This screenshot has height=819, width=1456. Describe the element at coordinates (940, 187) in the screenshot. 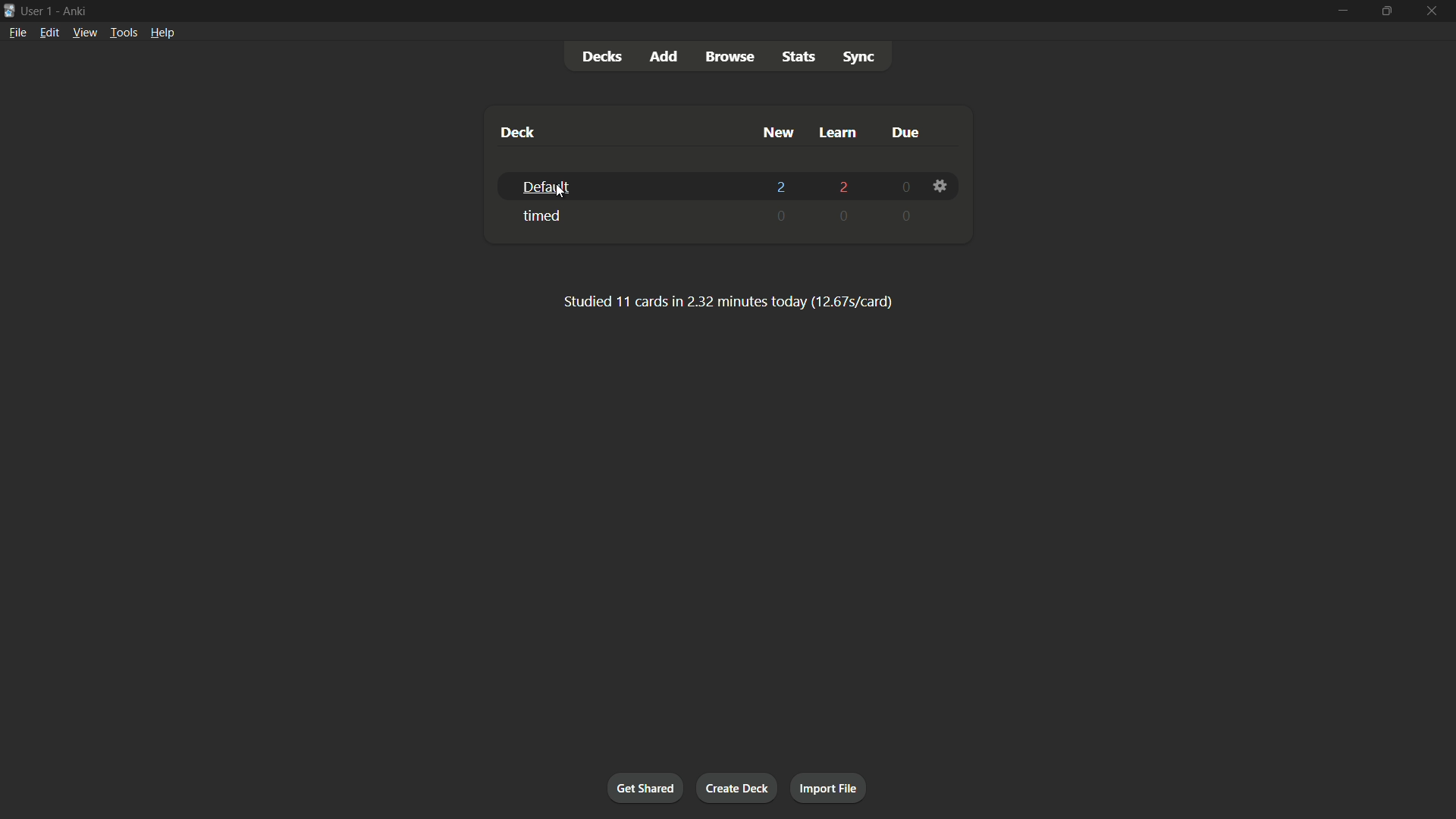

I see `settings` at that location.